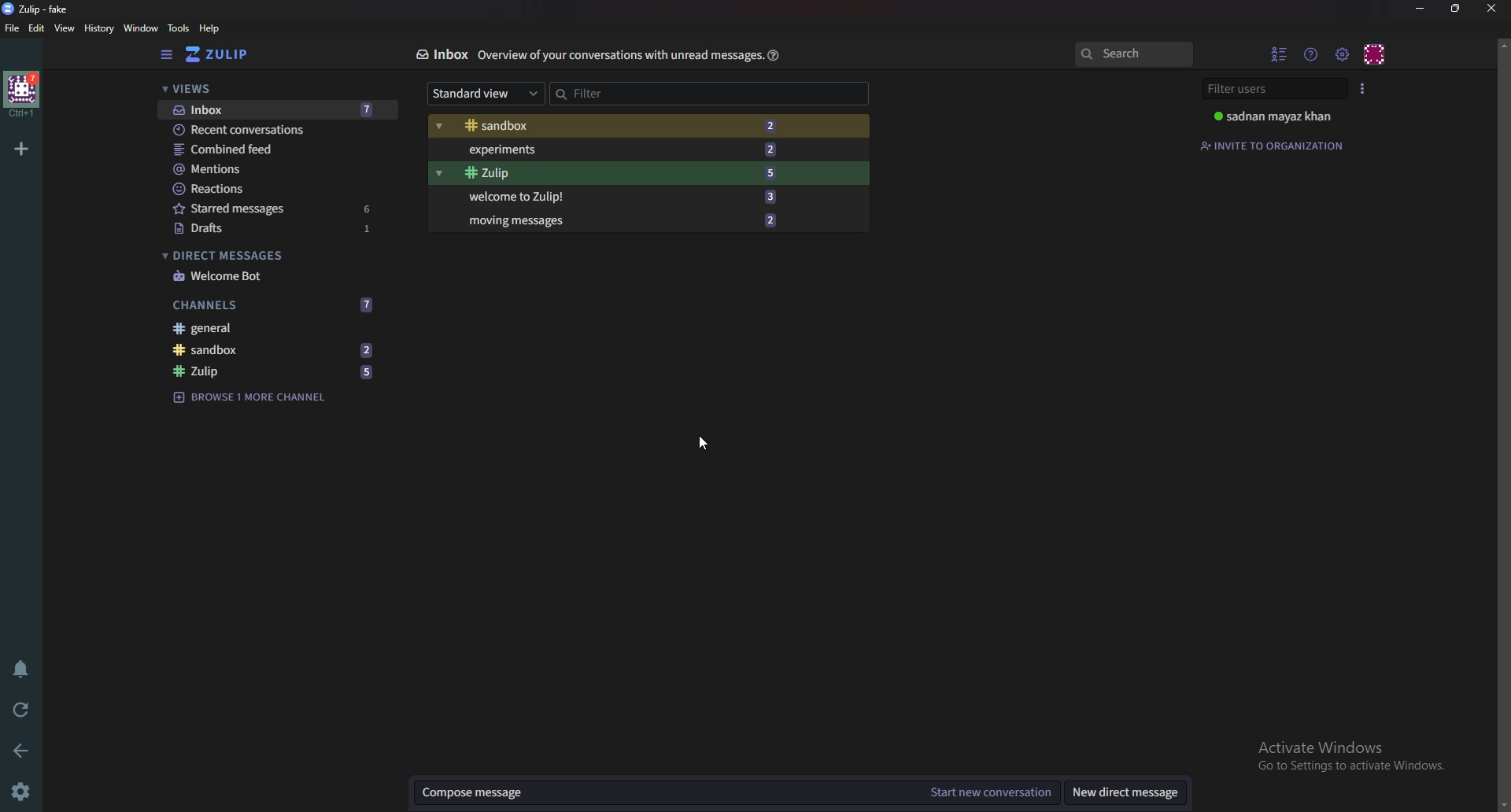 The height and width of the screenshot is (812, 1511). Describe the element at coordinates (619, 218) in the screenshot. I see `Moving messages 2` at that location.